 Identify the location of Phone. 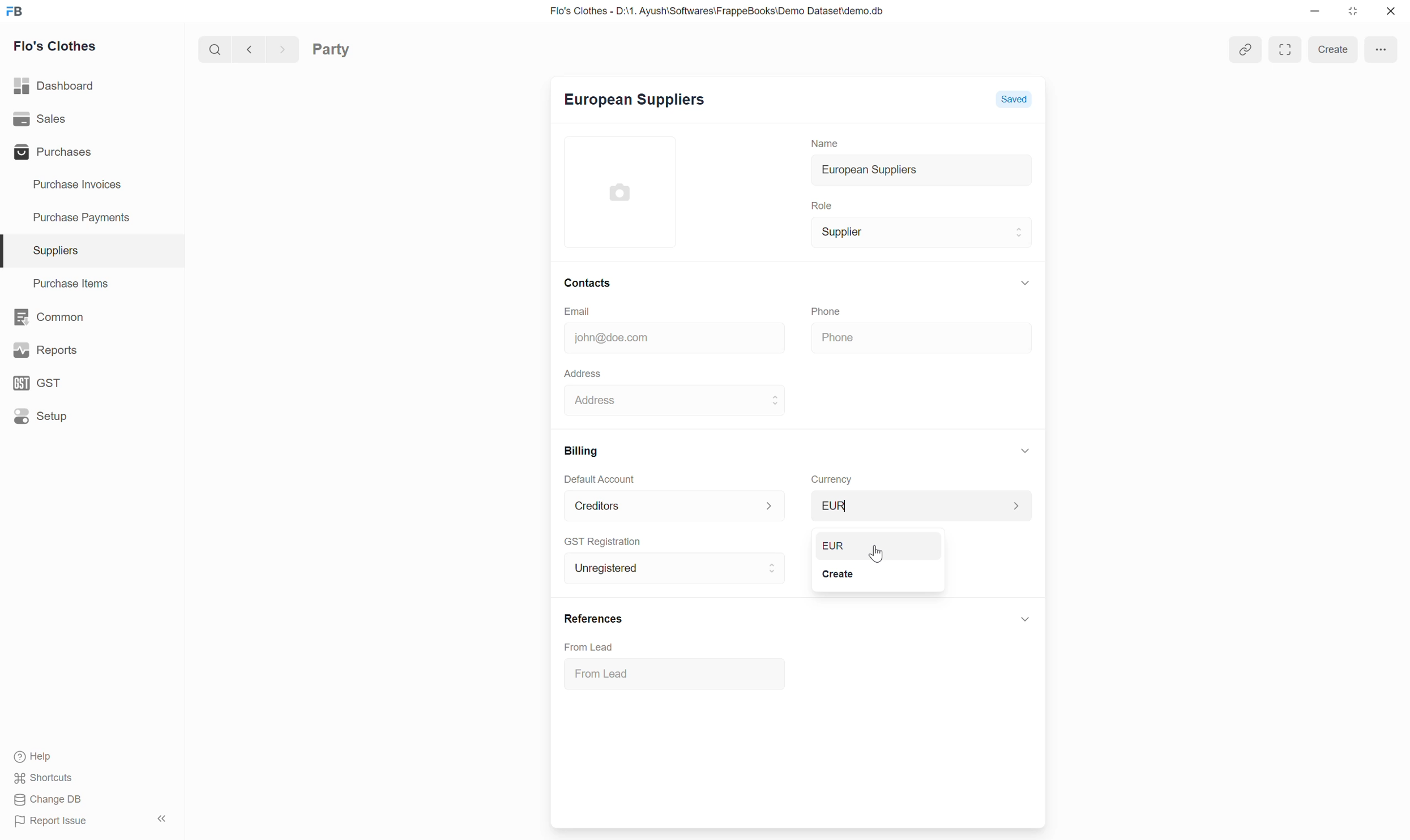
(839, 309).